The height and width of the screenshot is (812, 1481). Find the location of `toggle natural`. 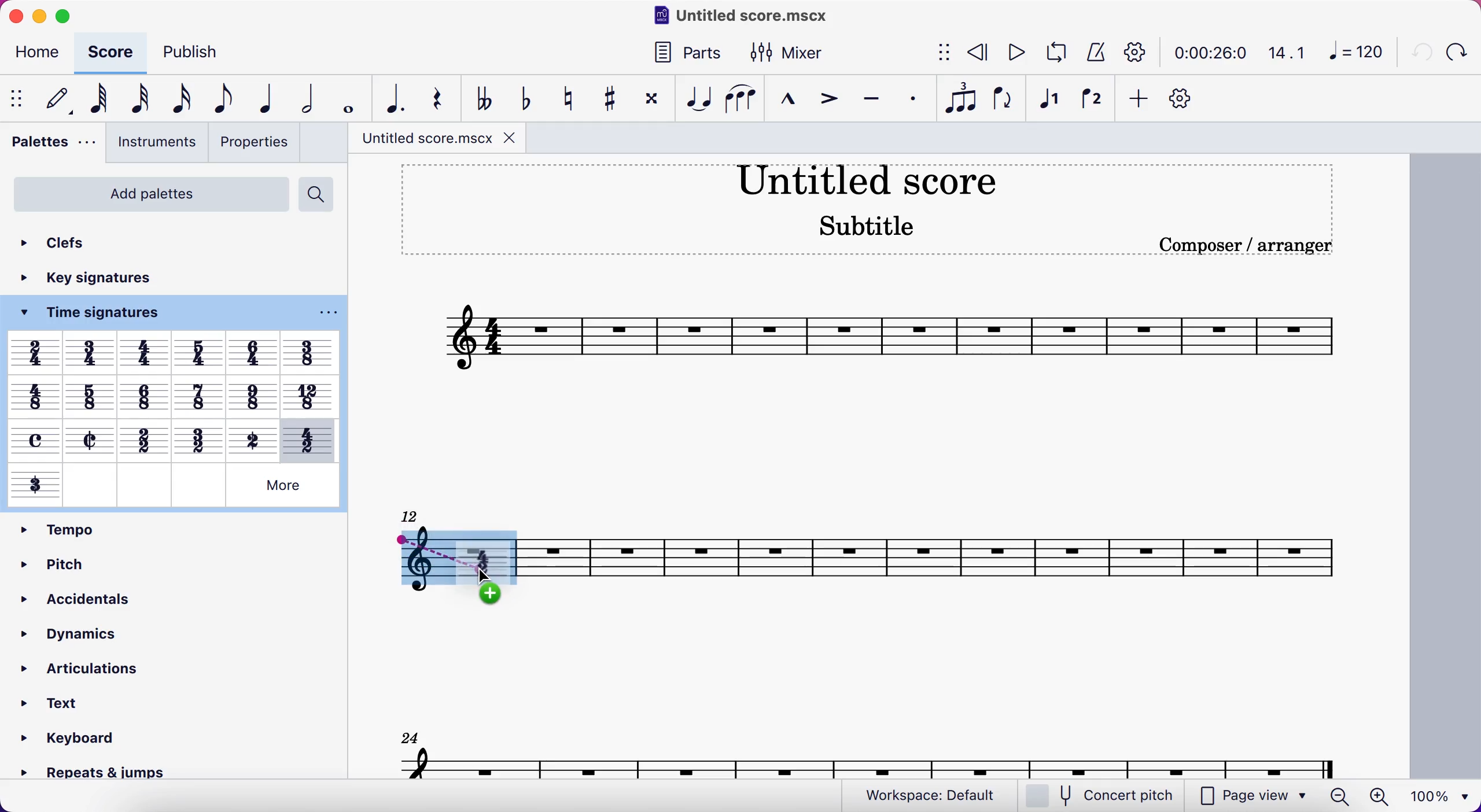

toggle natural is located at coordinates (565, 96).